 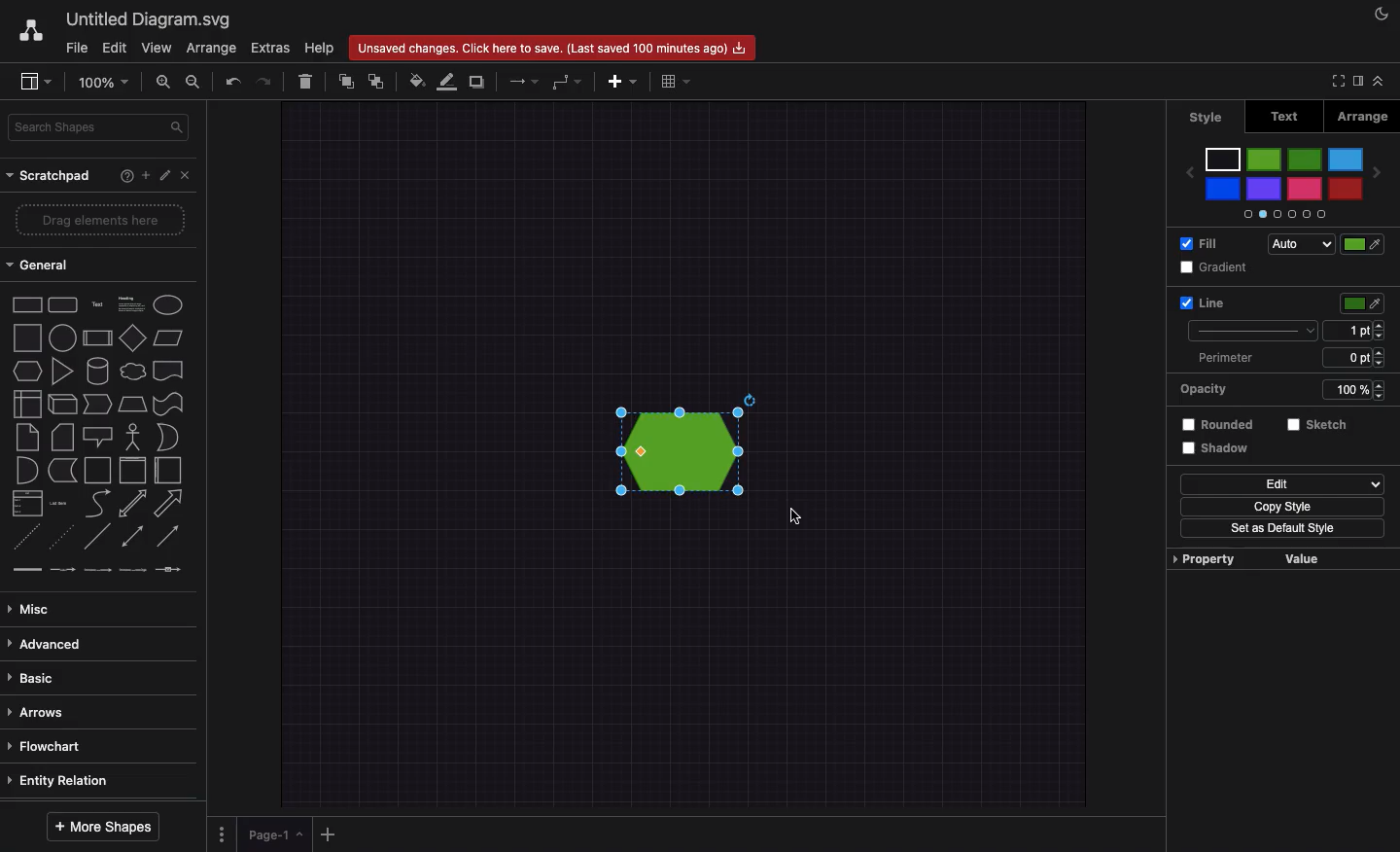 What do you see at coordinates (1198, 247) in the screenshot?
I see `Fill` at bounding box center [1198, 247].